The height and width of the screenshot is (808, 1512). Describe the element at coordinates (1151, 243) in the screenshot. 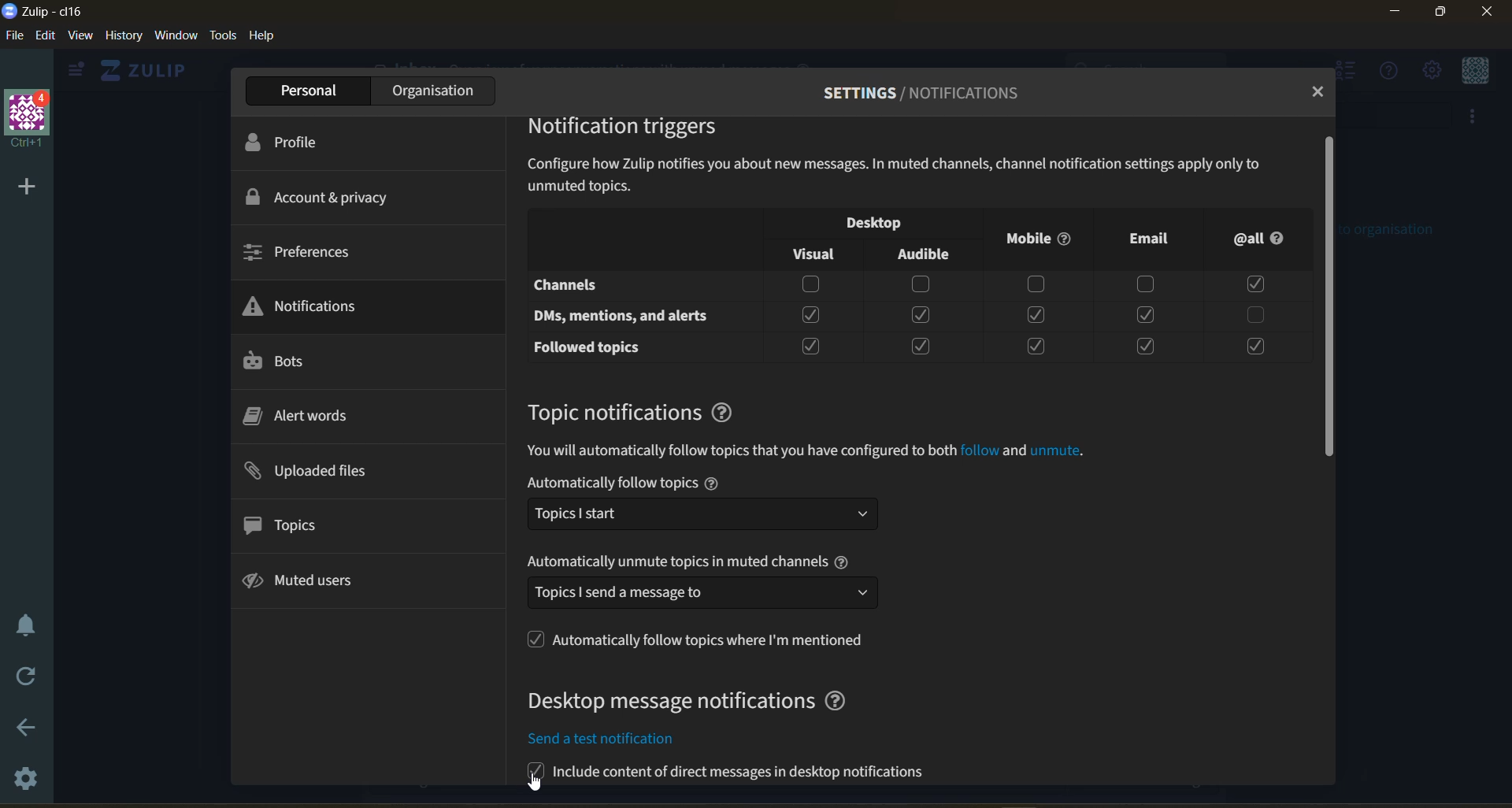

I see `Email` at that location.